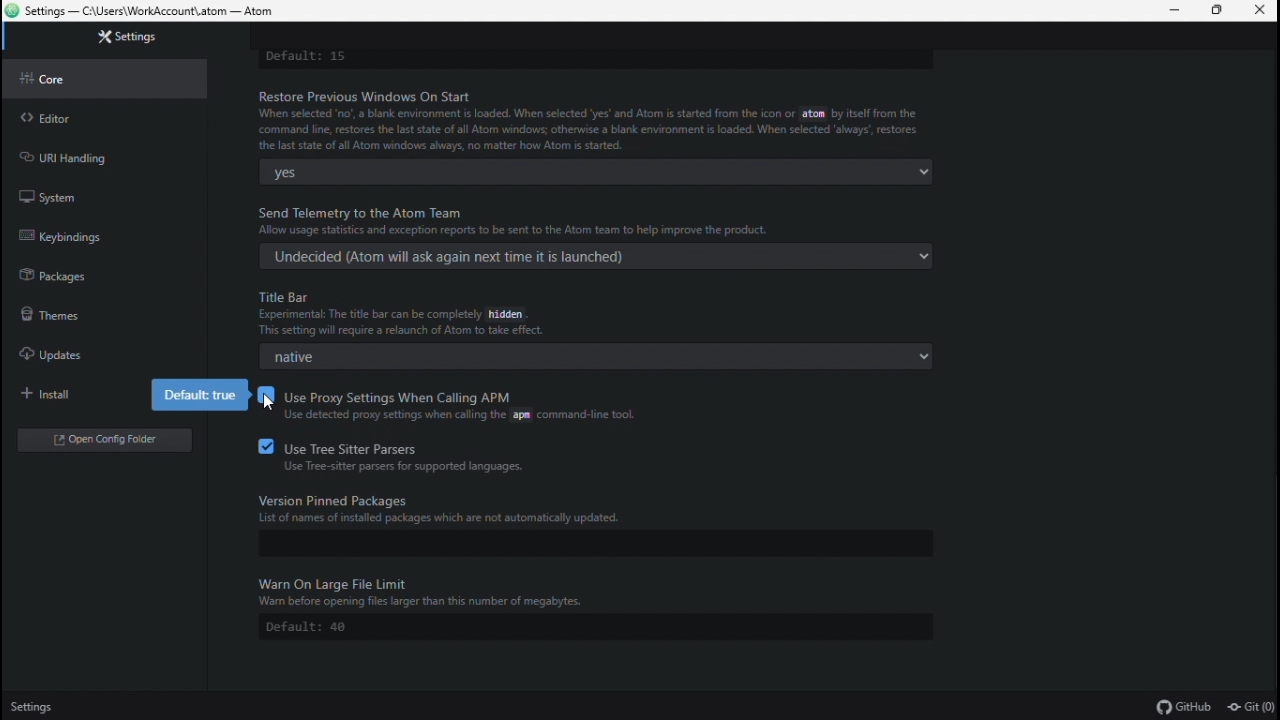 The image size is (1280, 720). What do you see at coordinates (1262, 11) in the screenshot?
I see `Close` at bounding box center [1262, 11].